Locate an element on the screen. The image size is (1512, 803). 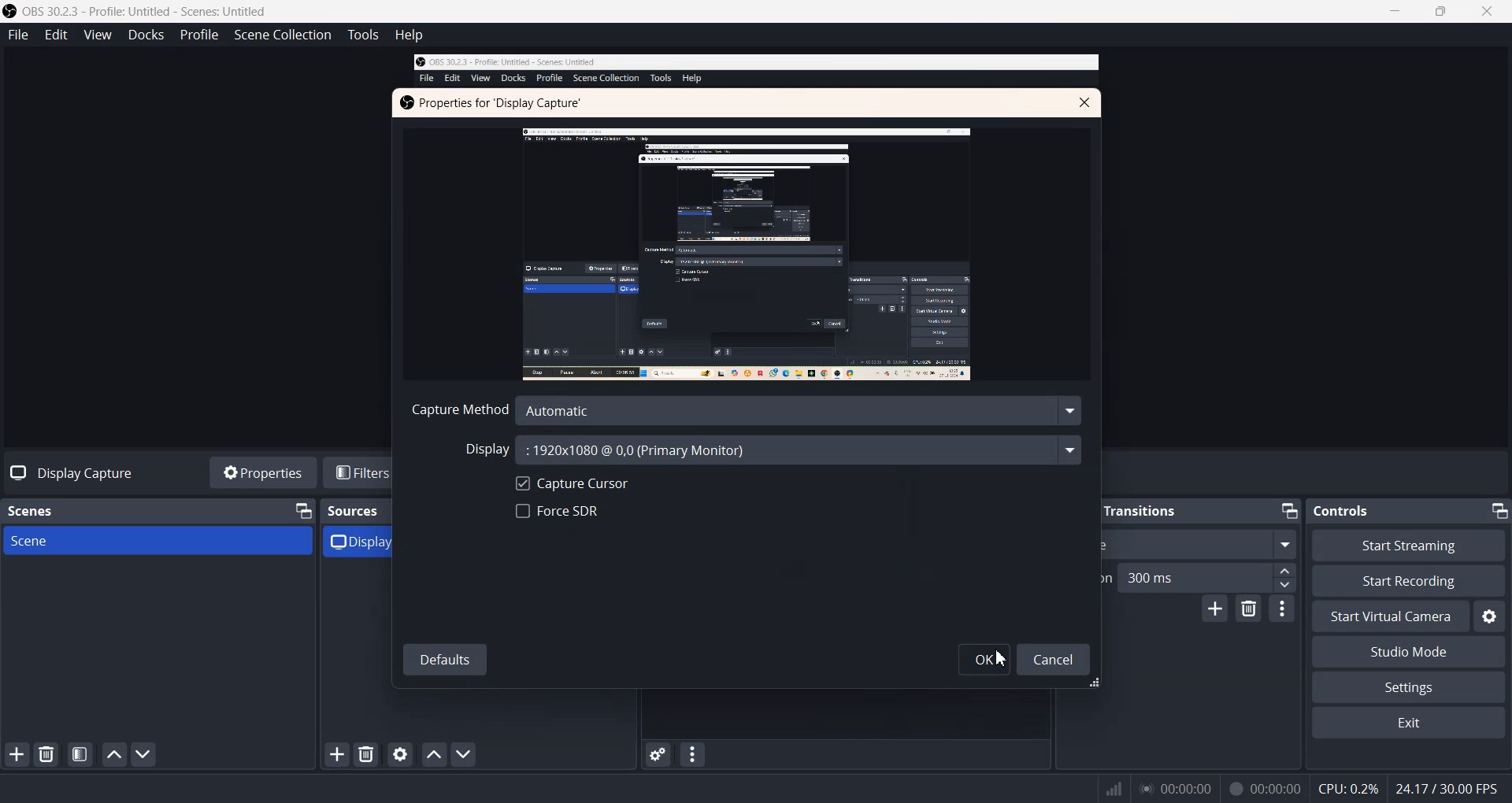
Swipe is located at coordinates (1201, 543).